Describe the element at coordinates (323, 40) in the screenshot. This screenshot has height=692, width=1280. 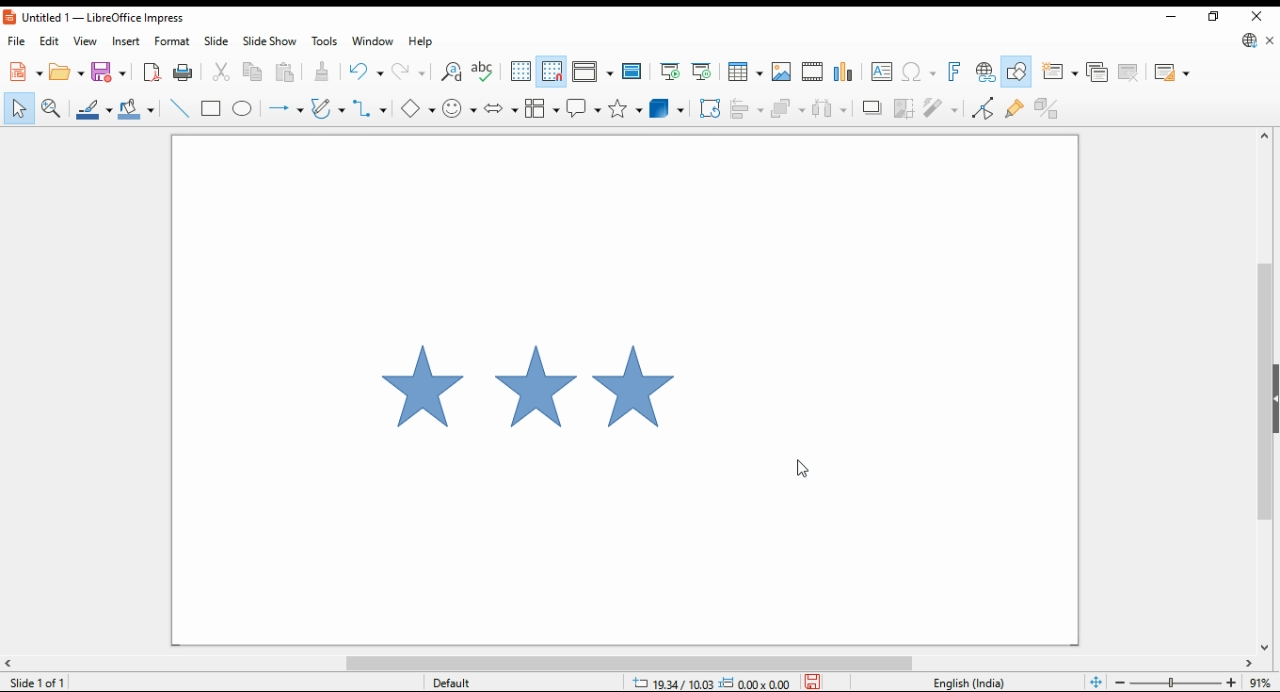
I see `tools` at that location.